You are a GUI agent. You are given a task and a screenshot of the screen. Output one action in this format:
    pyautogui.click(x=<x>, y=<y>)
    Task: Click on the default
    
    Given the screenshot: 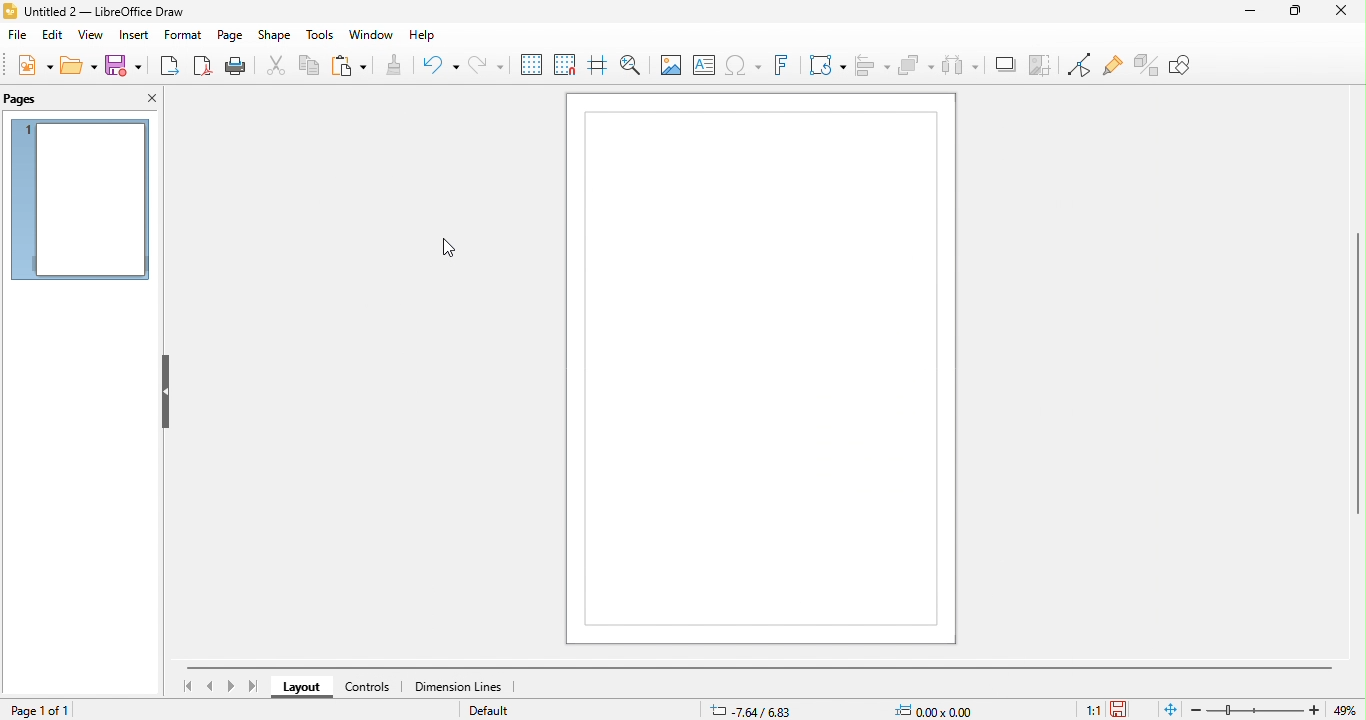 What is the action you would take?
    pyautogui.click(x=495, y=711)
    